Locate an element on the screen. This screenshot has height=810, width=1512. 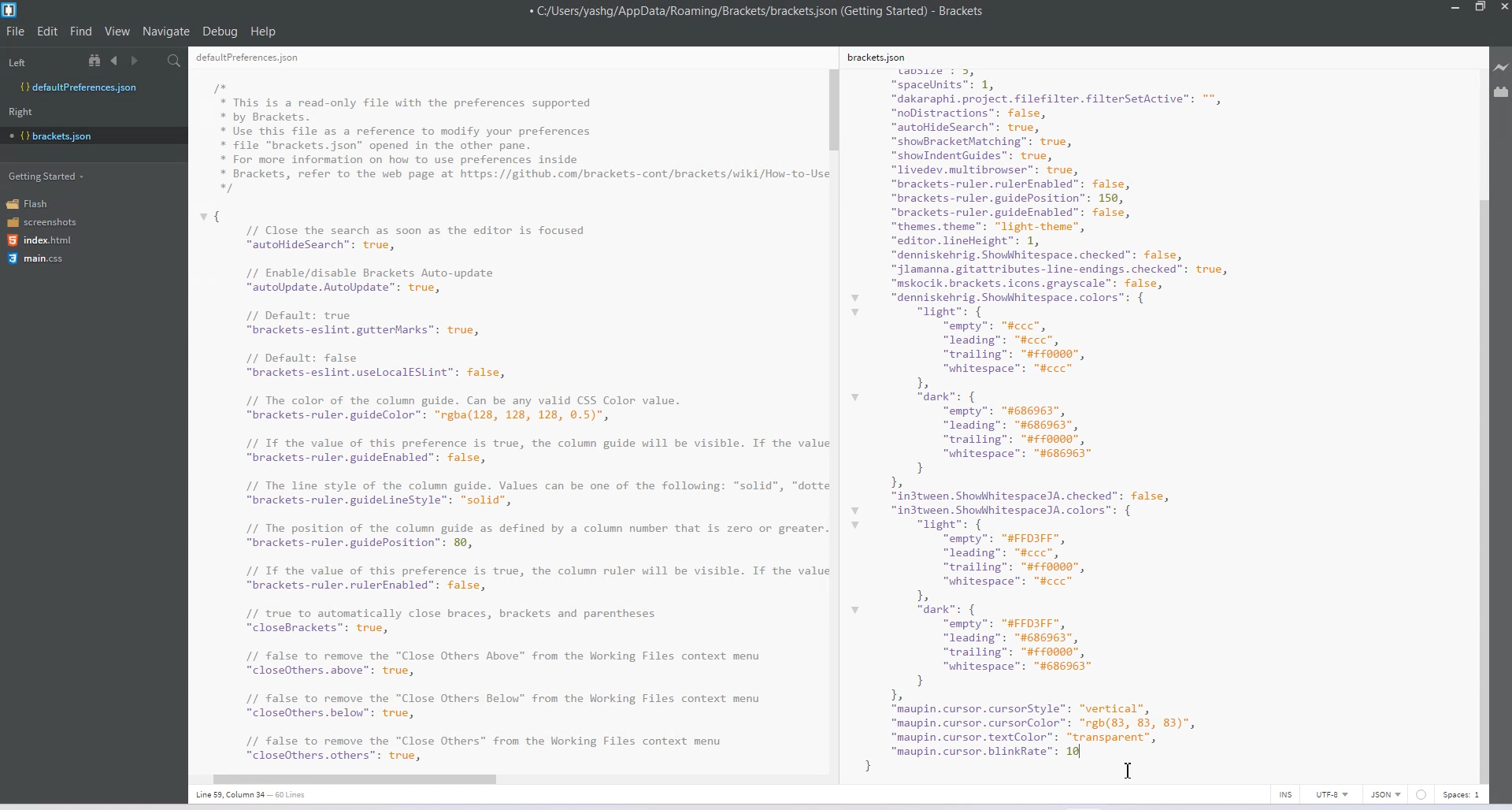
JSON is located at coordinates (1387, 794).